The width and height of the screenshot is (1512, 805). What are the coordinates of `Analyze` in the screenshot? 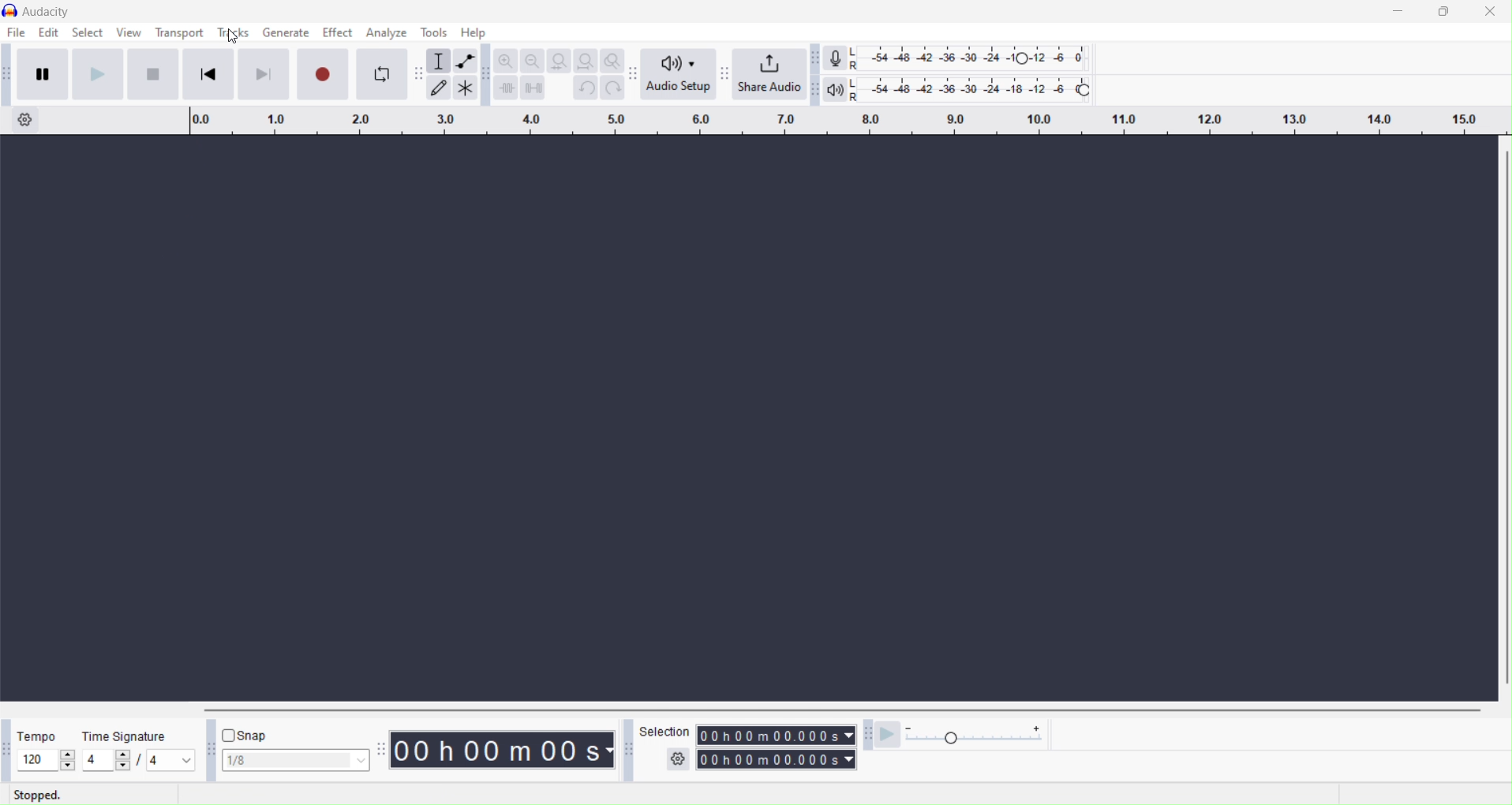 It's located at (385, 32).